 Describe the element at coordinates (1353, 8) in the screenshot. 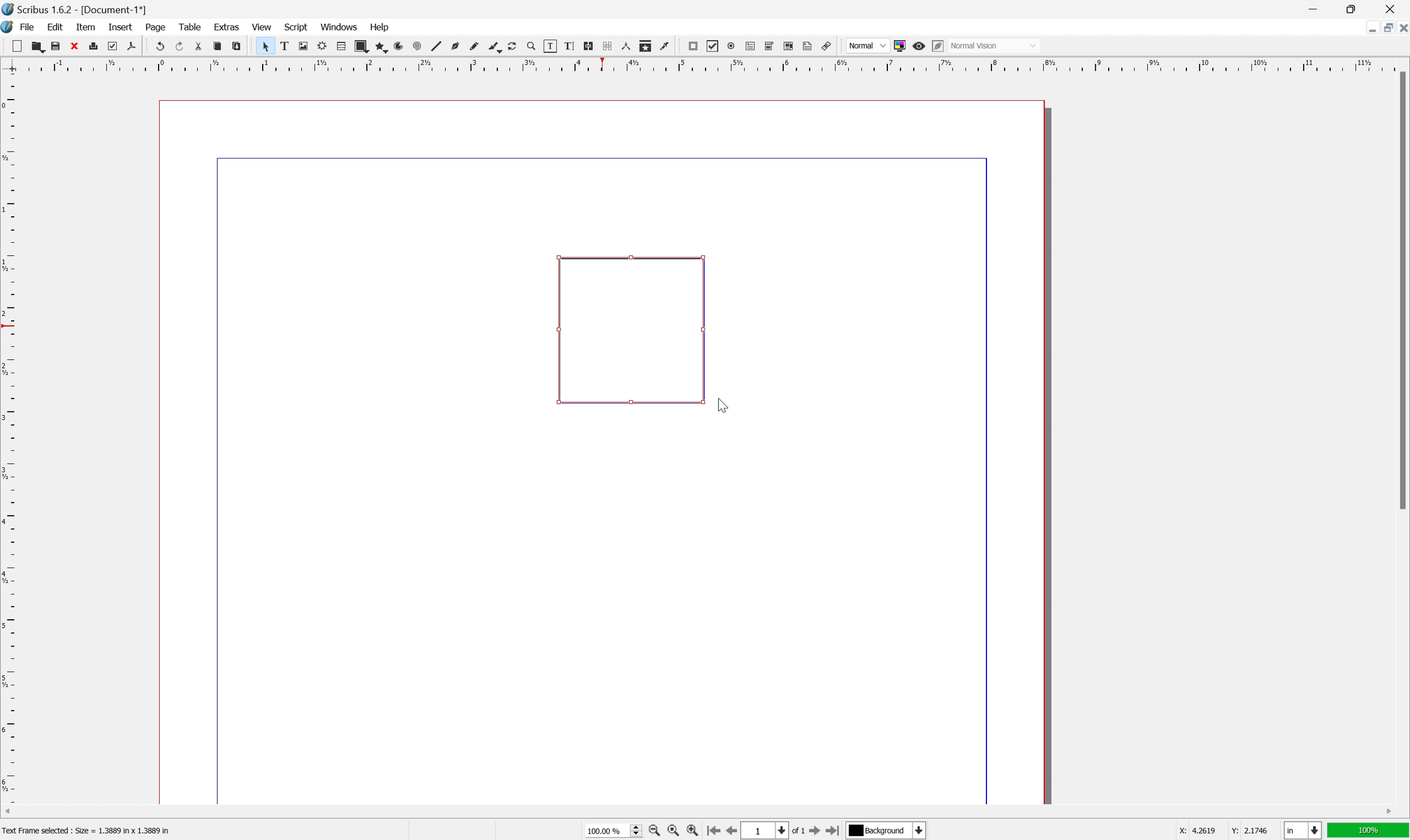

I see `restore down` at that location.